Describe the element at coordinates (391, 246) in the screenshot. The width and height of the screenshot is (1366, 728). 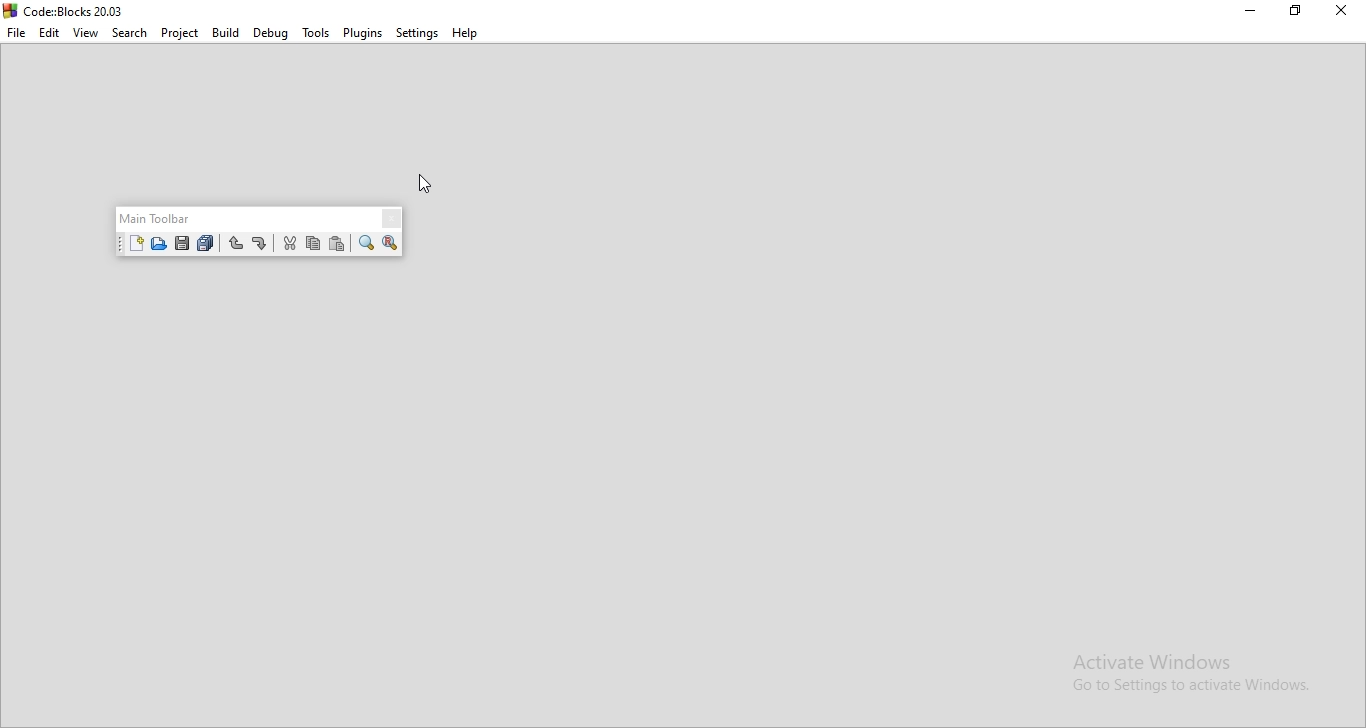
I see `replace` at that location.